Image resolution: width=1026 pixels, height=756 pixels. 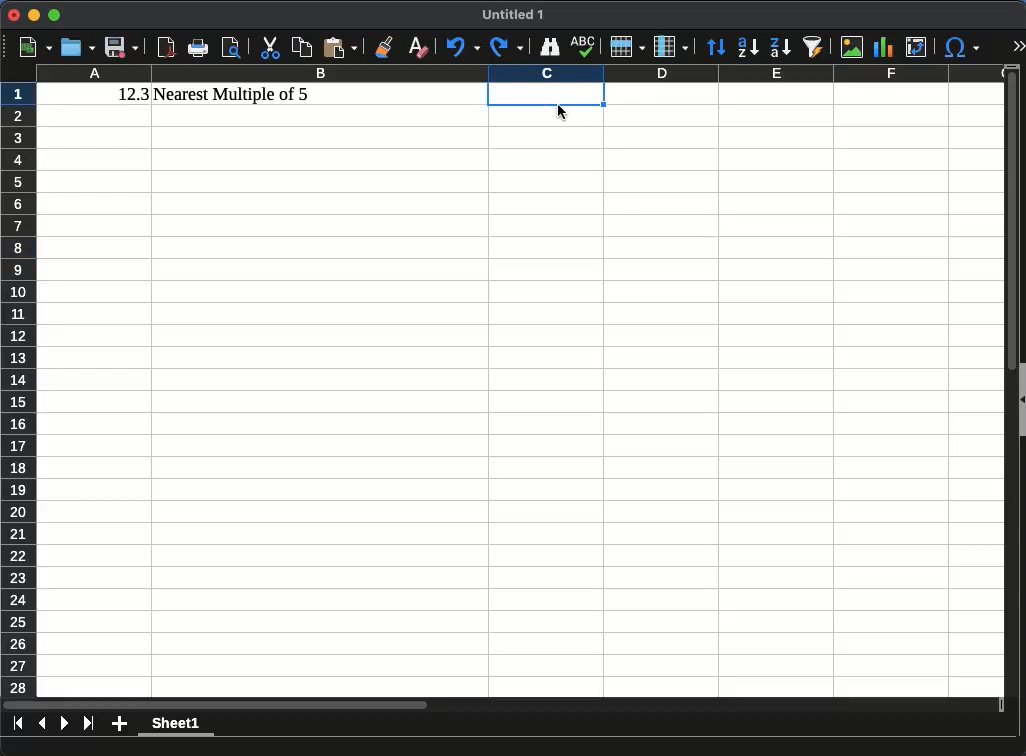 What do you see at coordinates (11, 15) in the screenshot?
I see `close` at bounding box center [11, 15].